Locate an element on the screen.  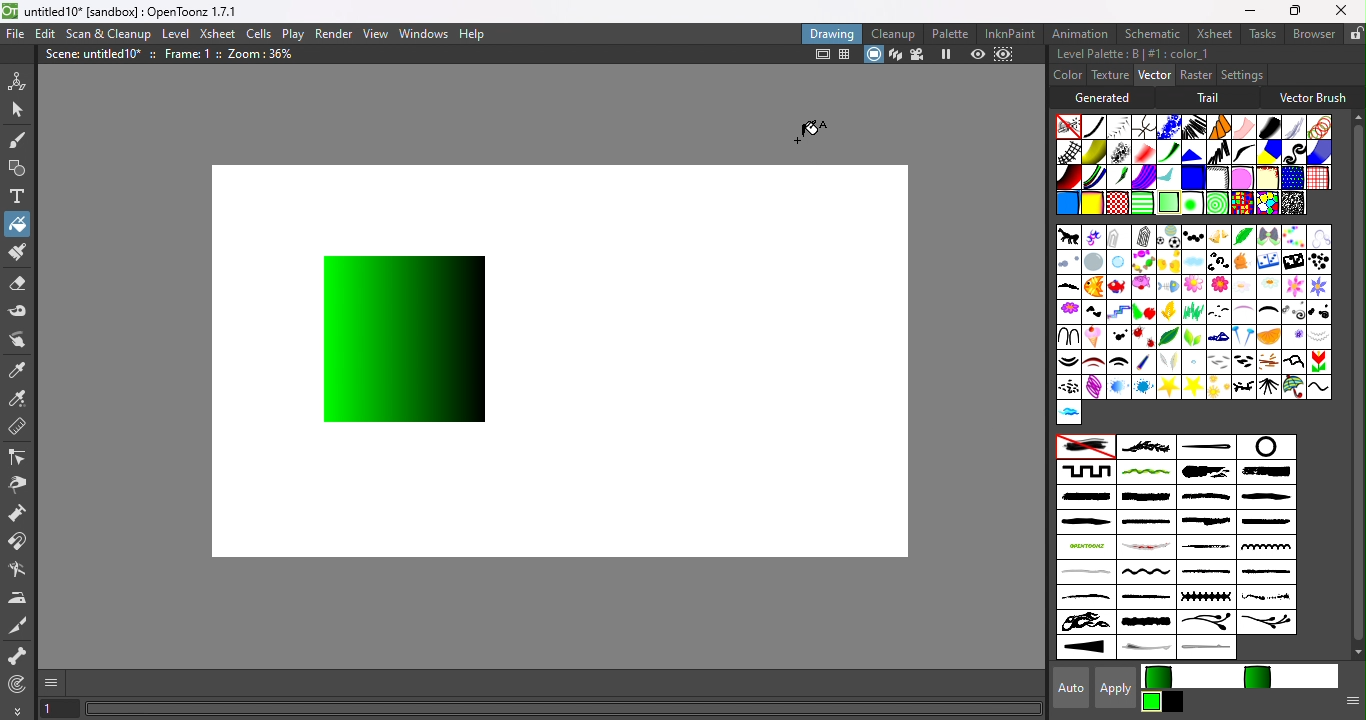
large_brush3 is located at coordinates (1084, 497).